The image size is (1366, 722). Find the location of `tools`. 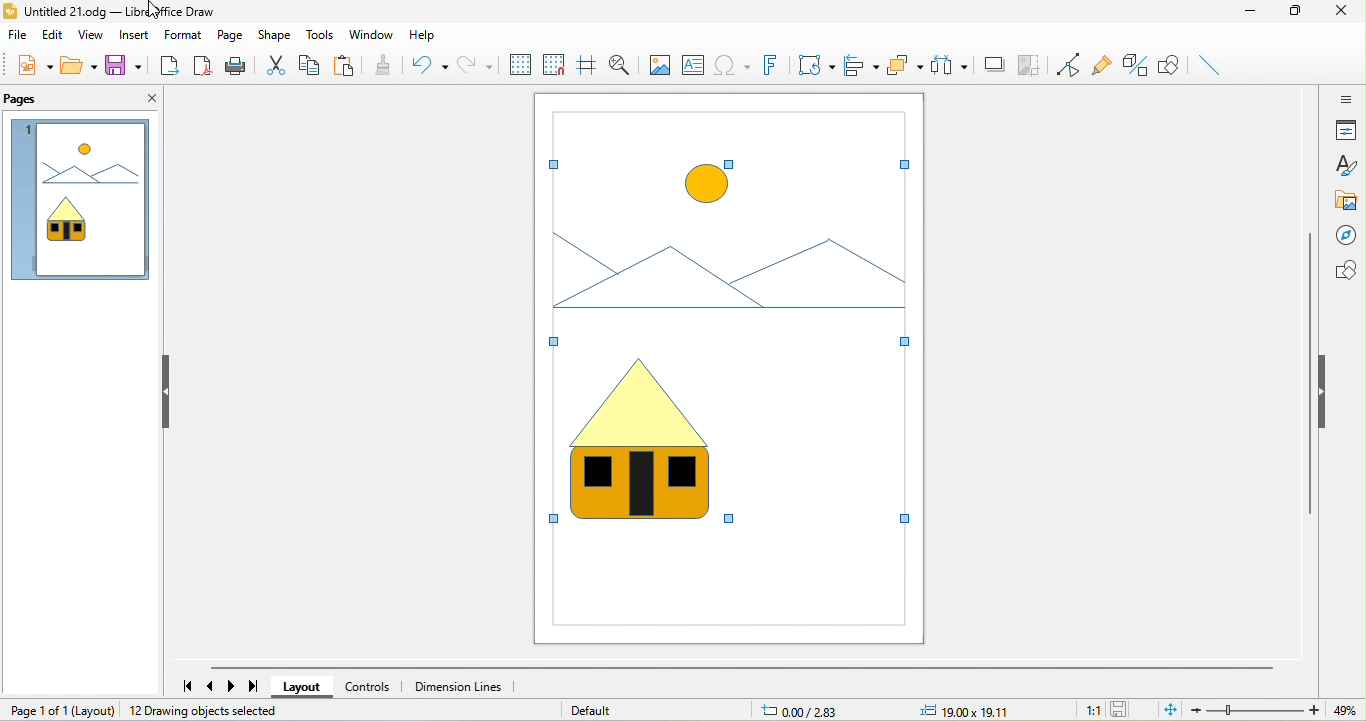

tools is located at coordinates (319, 33).